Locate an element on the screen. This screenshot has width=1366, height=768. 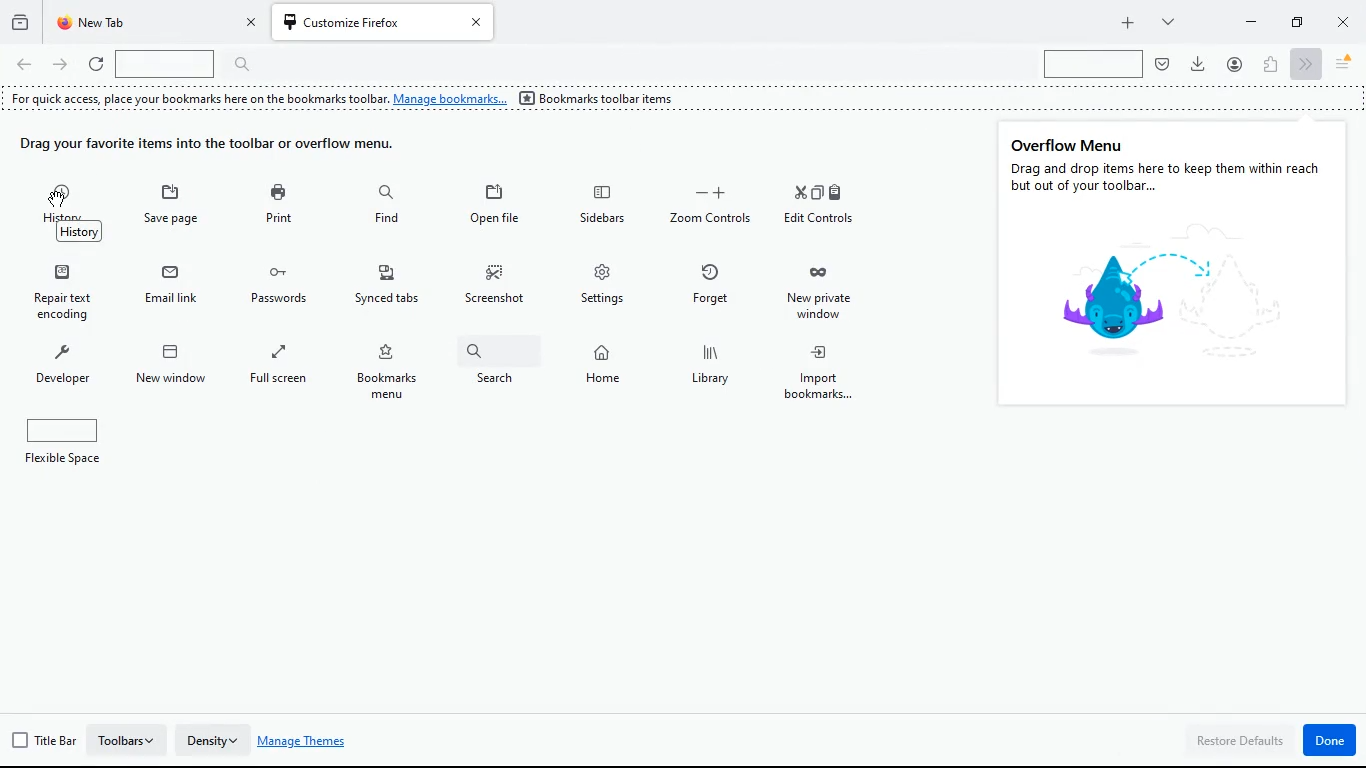
home is located at coordinates (604, 368).